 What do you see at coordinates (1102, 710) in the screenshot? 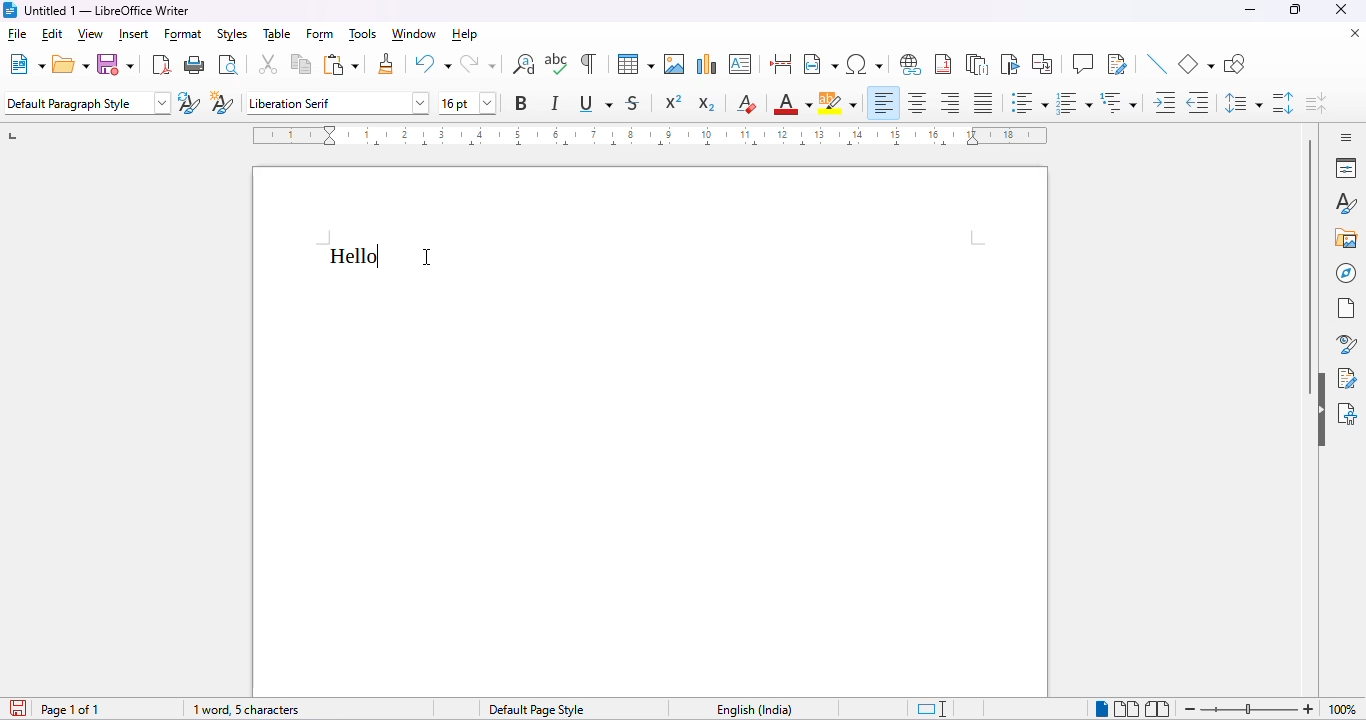
I see `single-page view` at bounding box center [1102, 710].